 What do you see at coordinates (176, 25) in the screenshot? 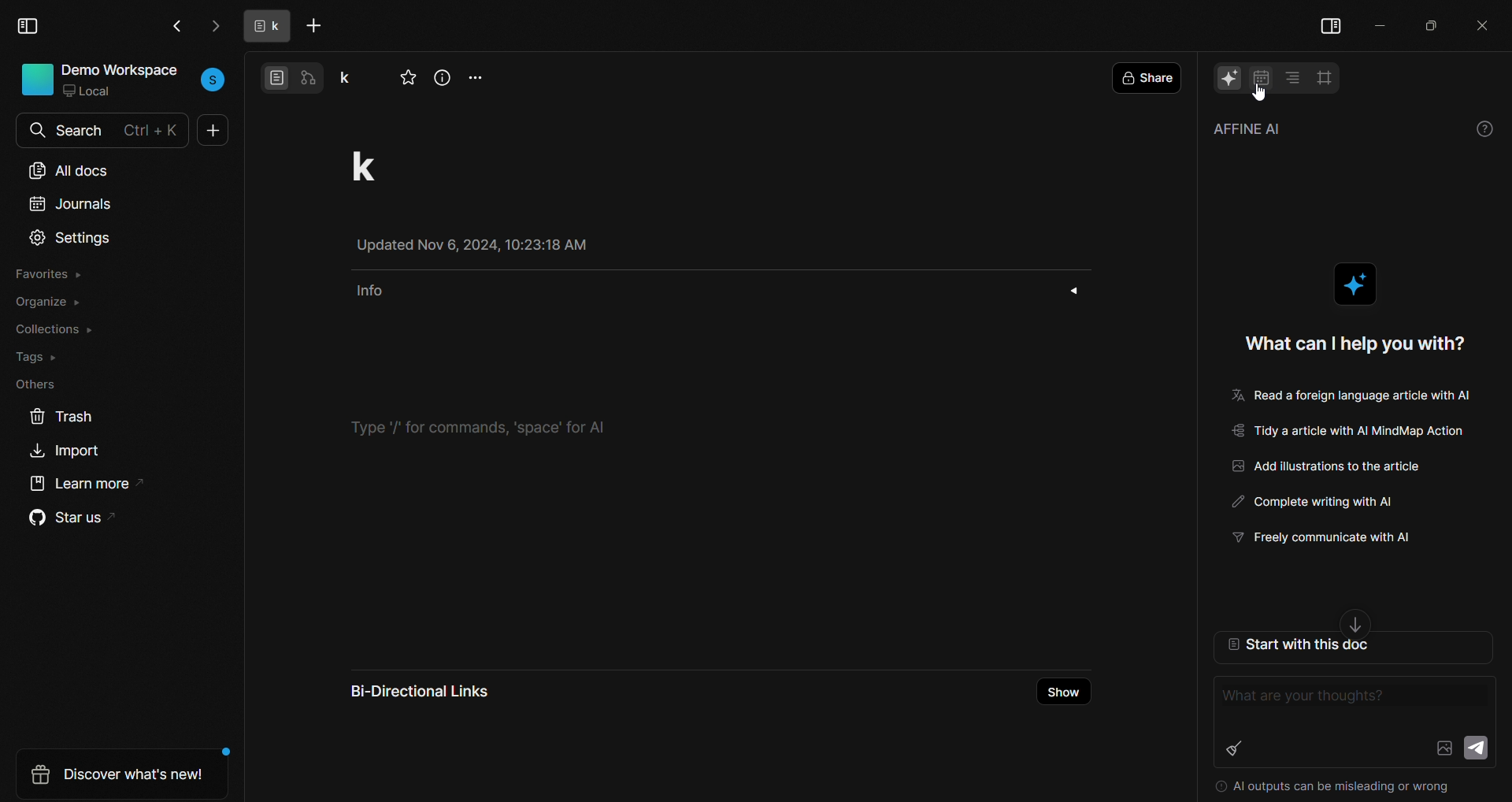
I see `go back` at bounding box center [176, 25].